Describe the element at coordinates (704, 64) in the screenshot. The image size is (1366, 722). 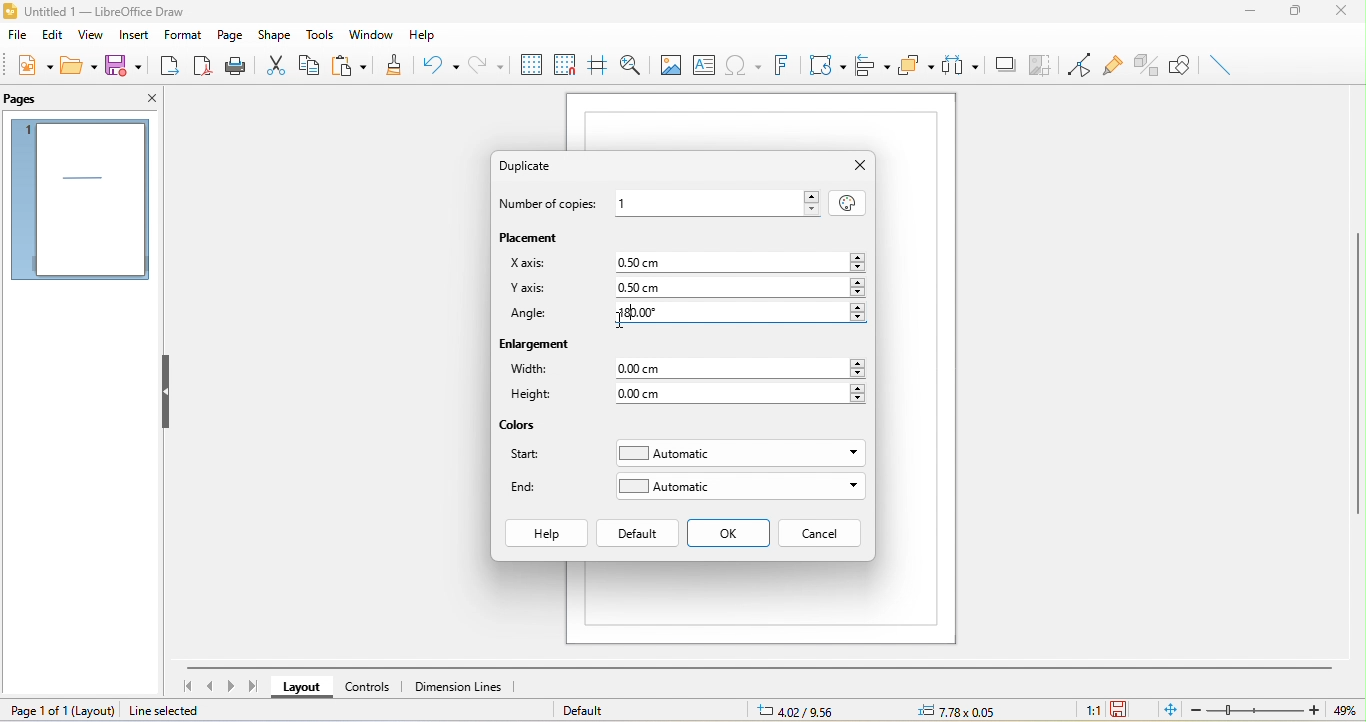
I see `text box` at that location.